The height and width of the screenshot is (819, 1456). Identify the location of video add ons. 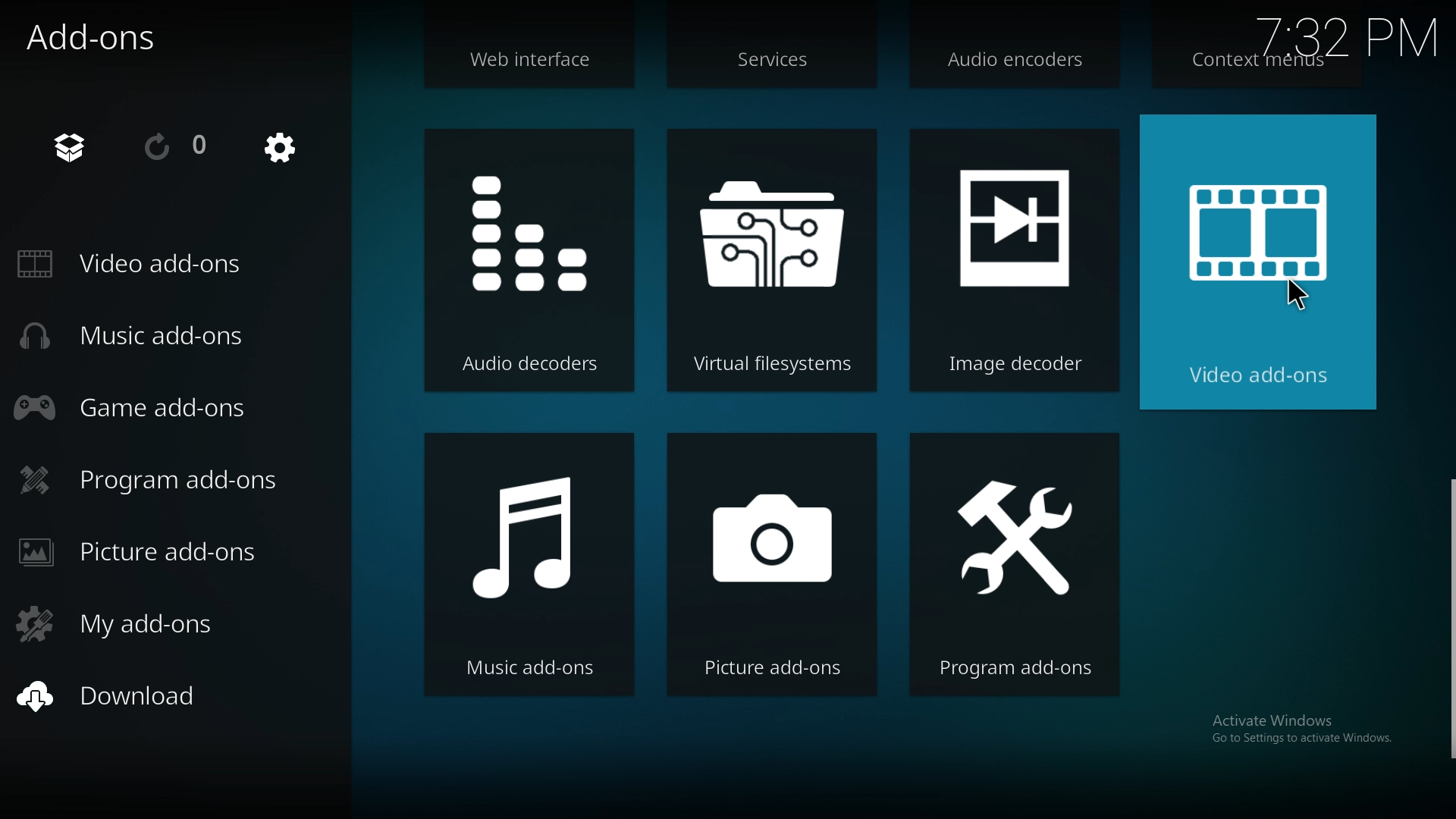
(1254, 262).